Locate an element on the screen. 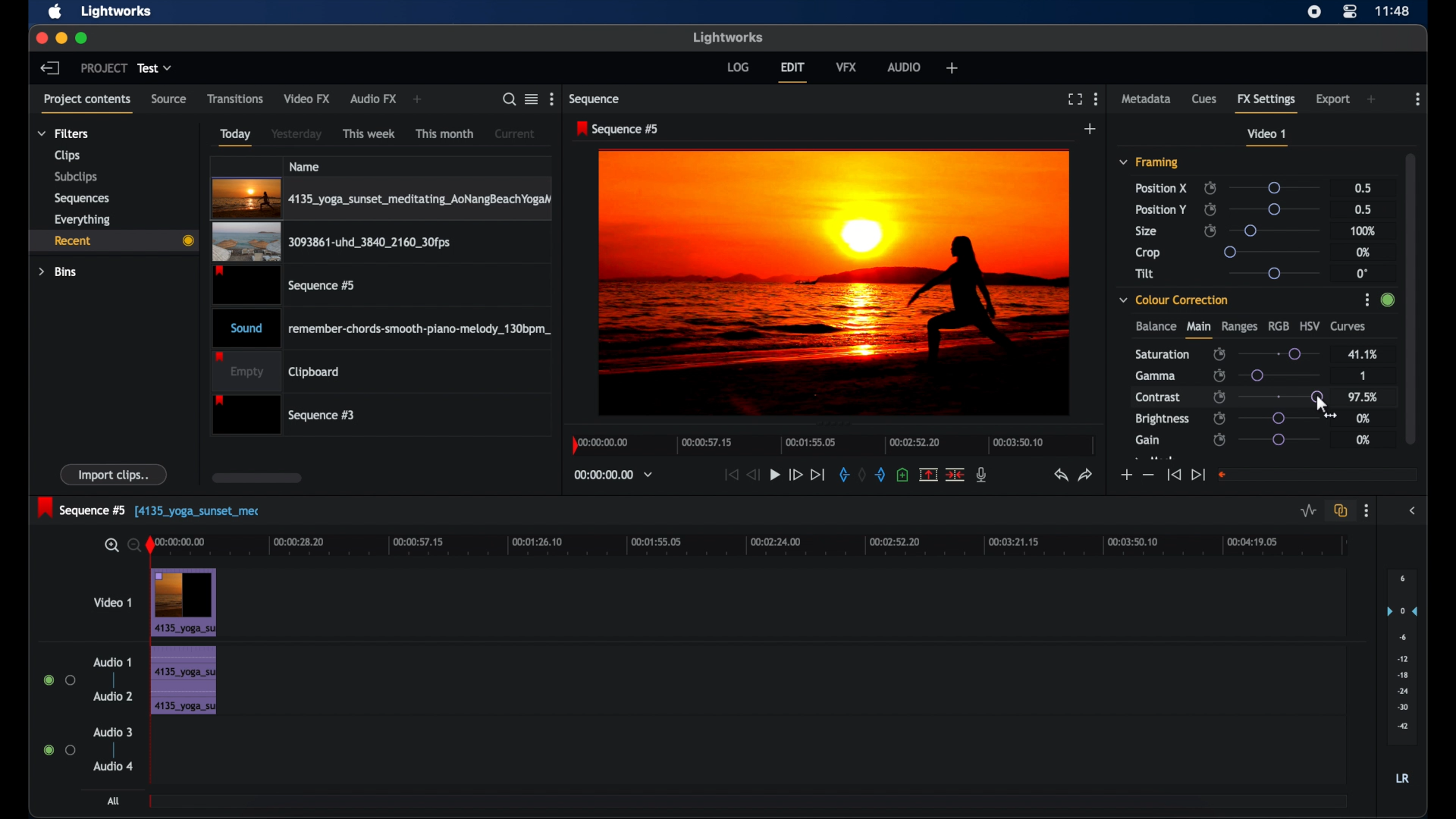 The width and height of the screenshot is (1456, 819). video clip is located at coordinates (331, 243).